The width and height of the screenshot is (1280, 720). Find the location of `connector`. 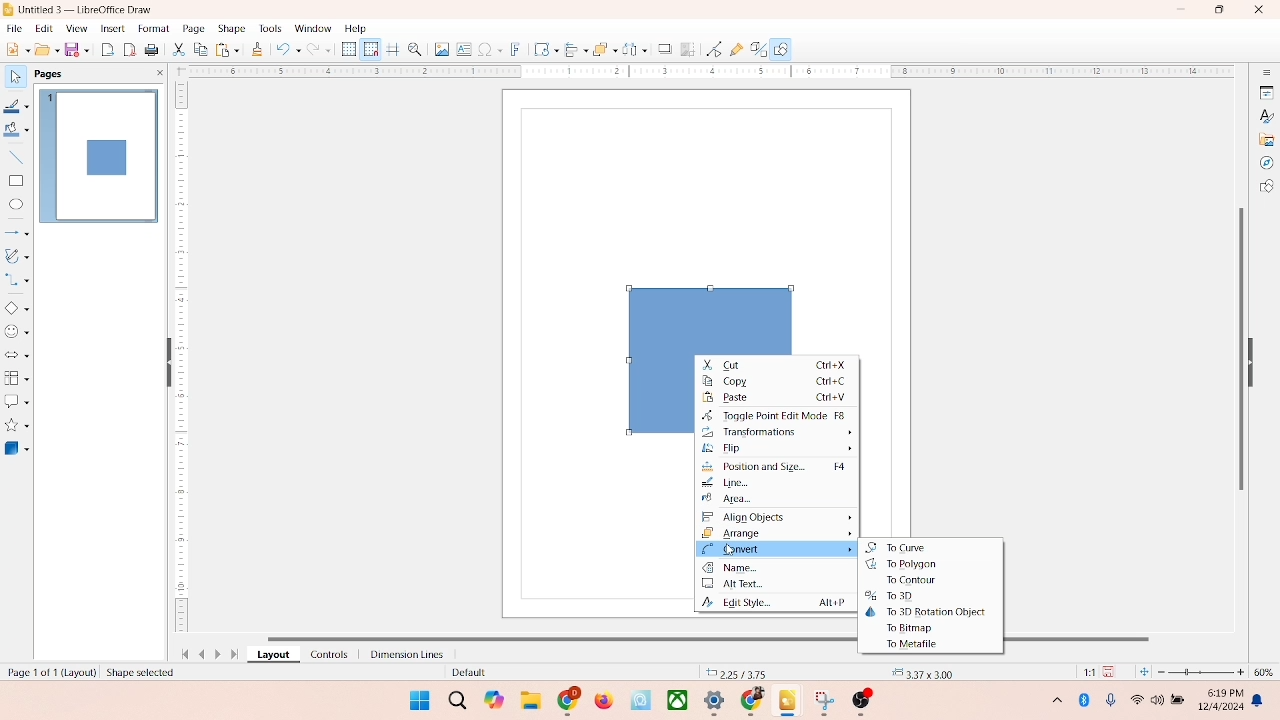

connector is located at coordinates (18, 280).